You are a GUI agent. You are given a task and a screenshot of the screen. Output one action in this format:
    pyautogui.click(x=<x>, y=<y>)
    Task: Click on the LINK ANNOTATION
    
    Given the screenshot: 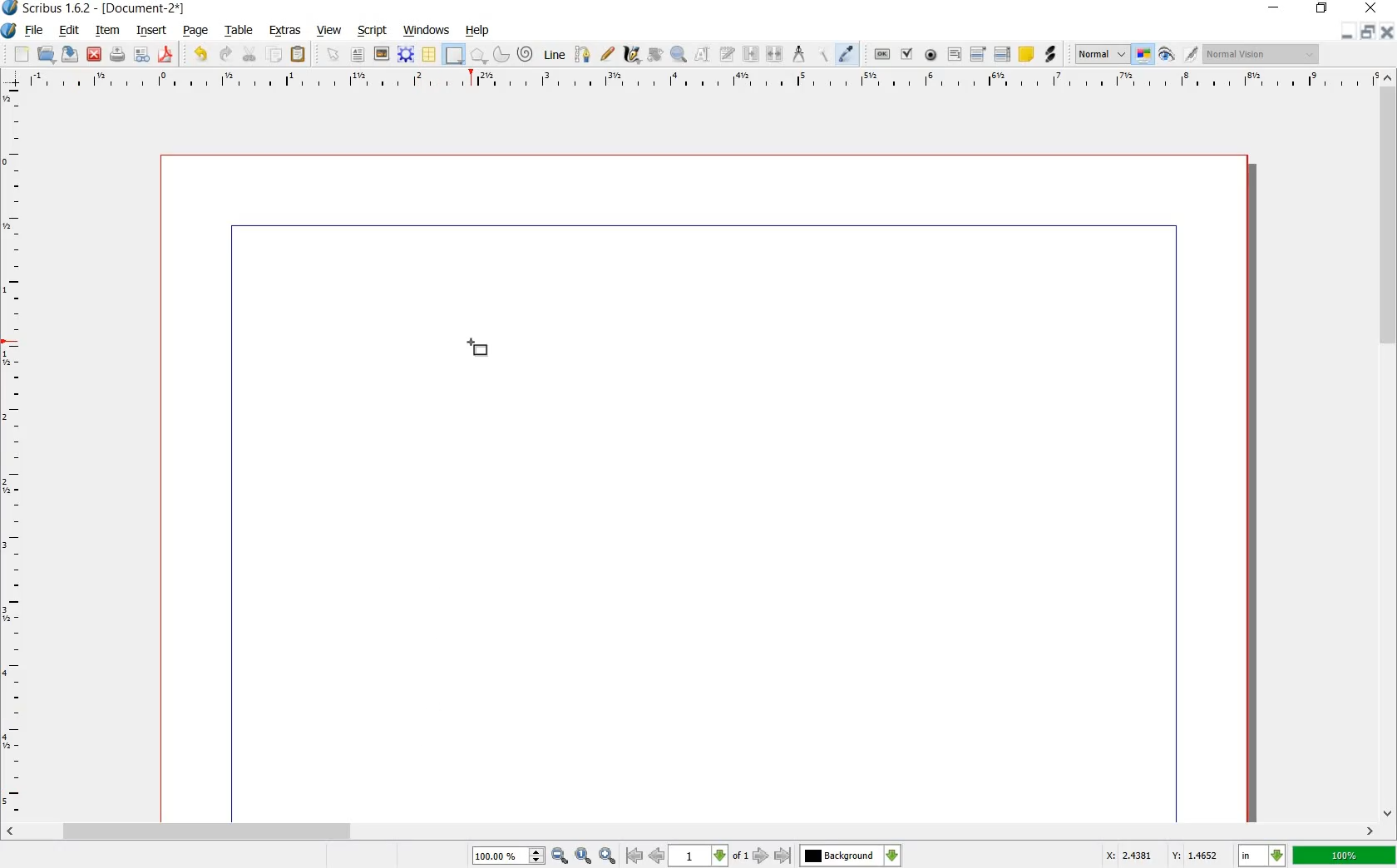 What is the action you would take?
    pyautogui.click(x=1051, y=55)
    